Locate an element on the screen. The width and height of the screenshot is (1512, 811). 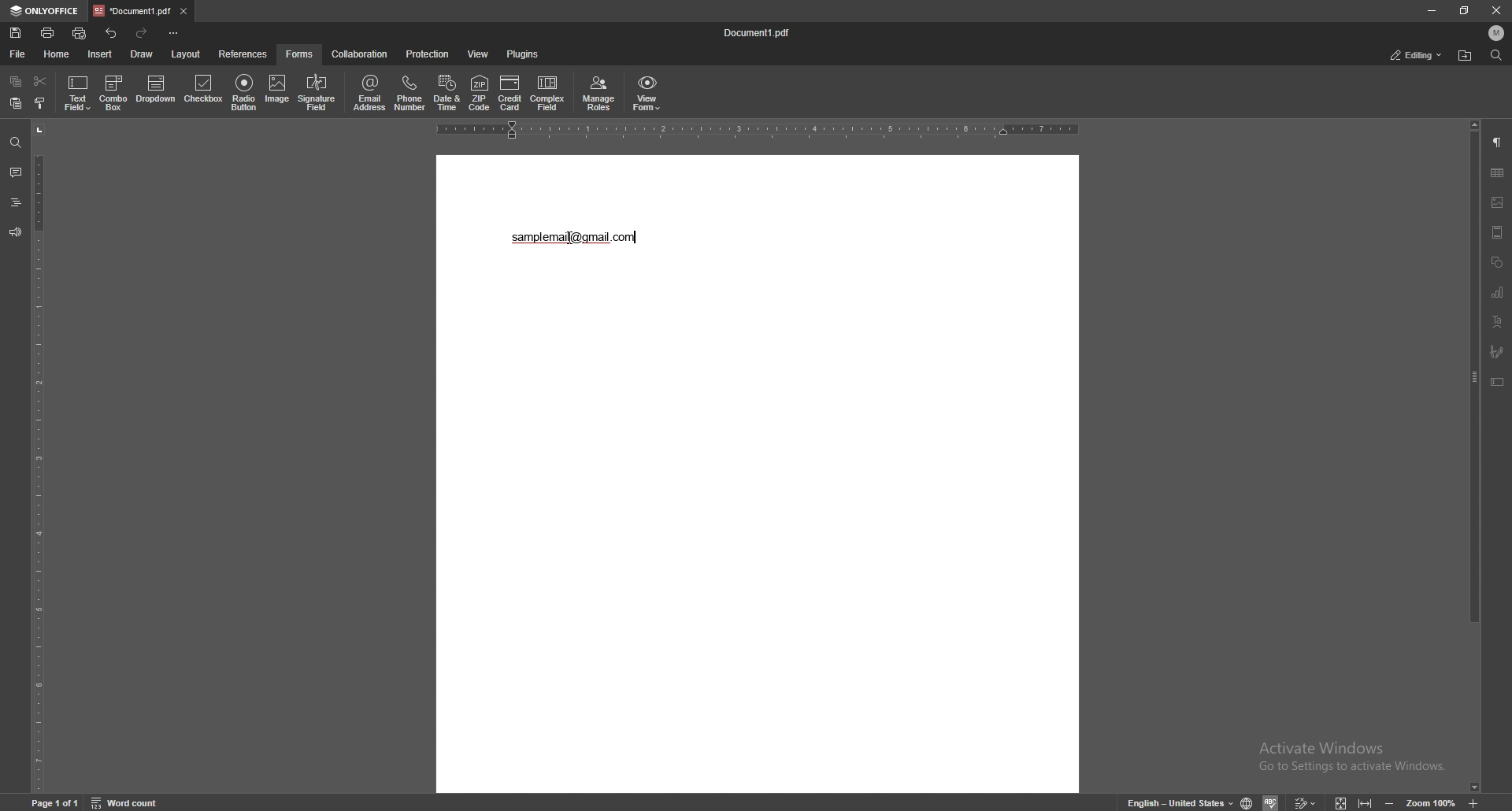
change doc language is located at coordinates (1249, 802).